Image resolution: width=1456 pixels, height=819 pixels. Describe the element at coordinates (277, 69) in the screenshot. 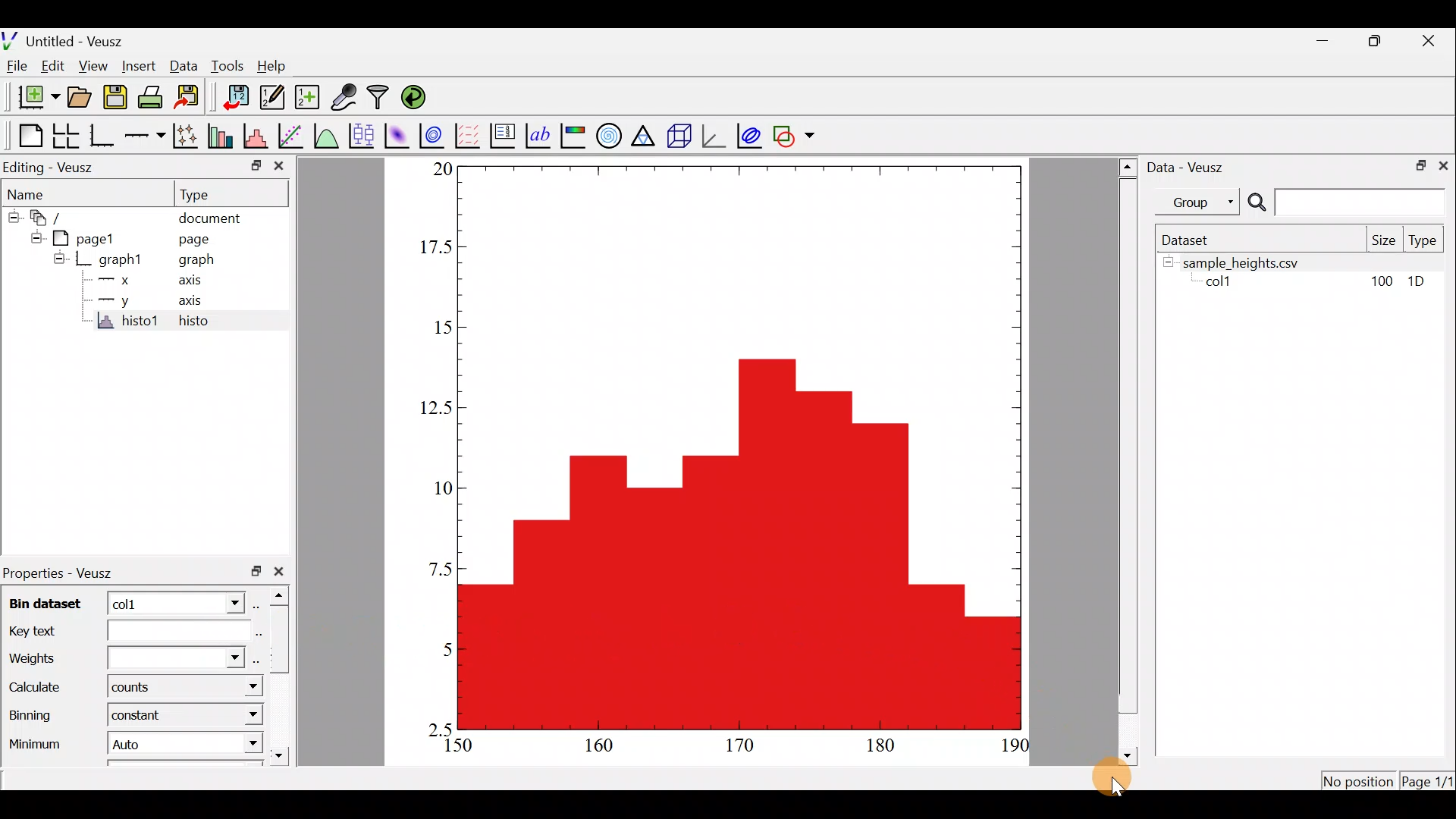

I see `Help` at that location.